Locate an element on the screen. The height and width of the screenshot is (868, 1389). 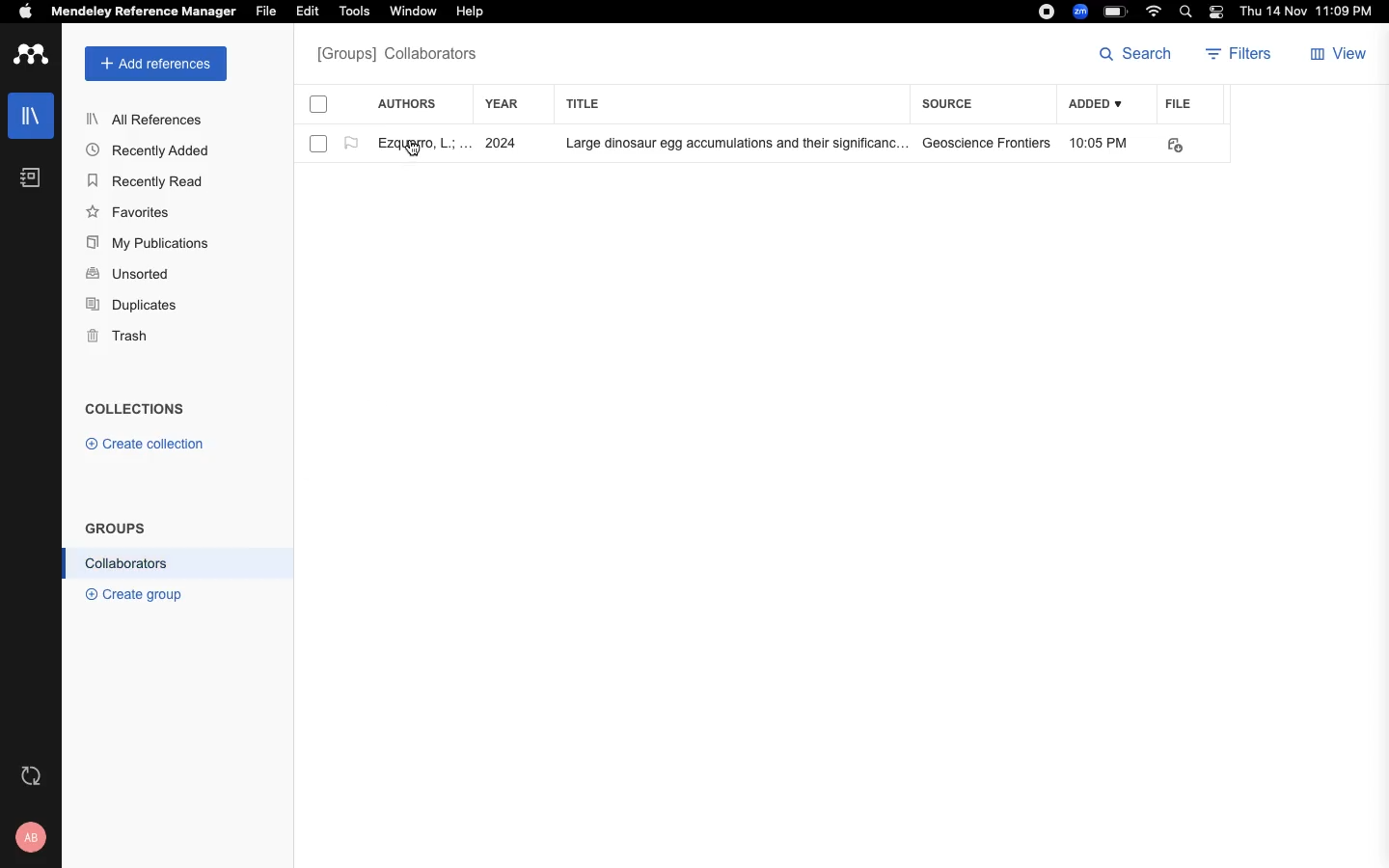
Recently Read is located at coordinates (148, 181).